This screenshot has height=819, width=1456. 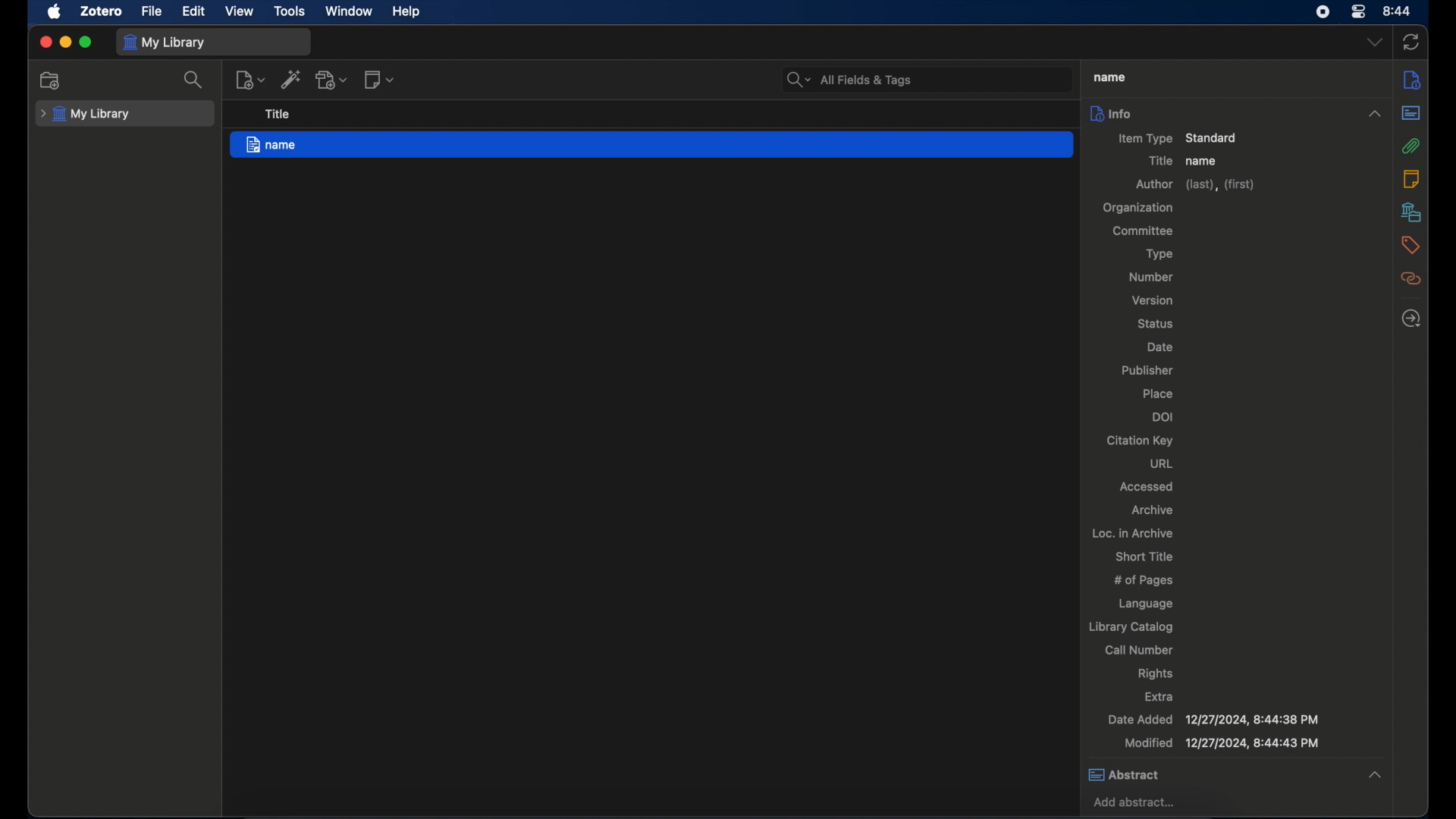 What do you see at coordinates (1155, 325) in the screenshot?
I see `status` at bounding box center [1155, 325].